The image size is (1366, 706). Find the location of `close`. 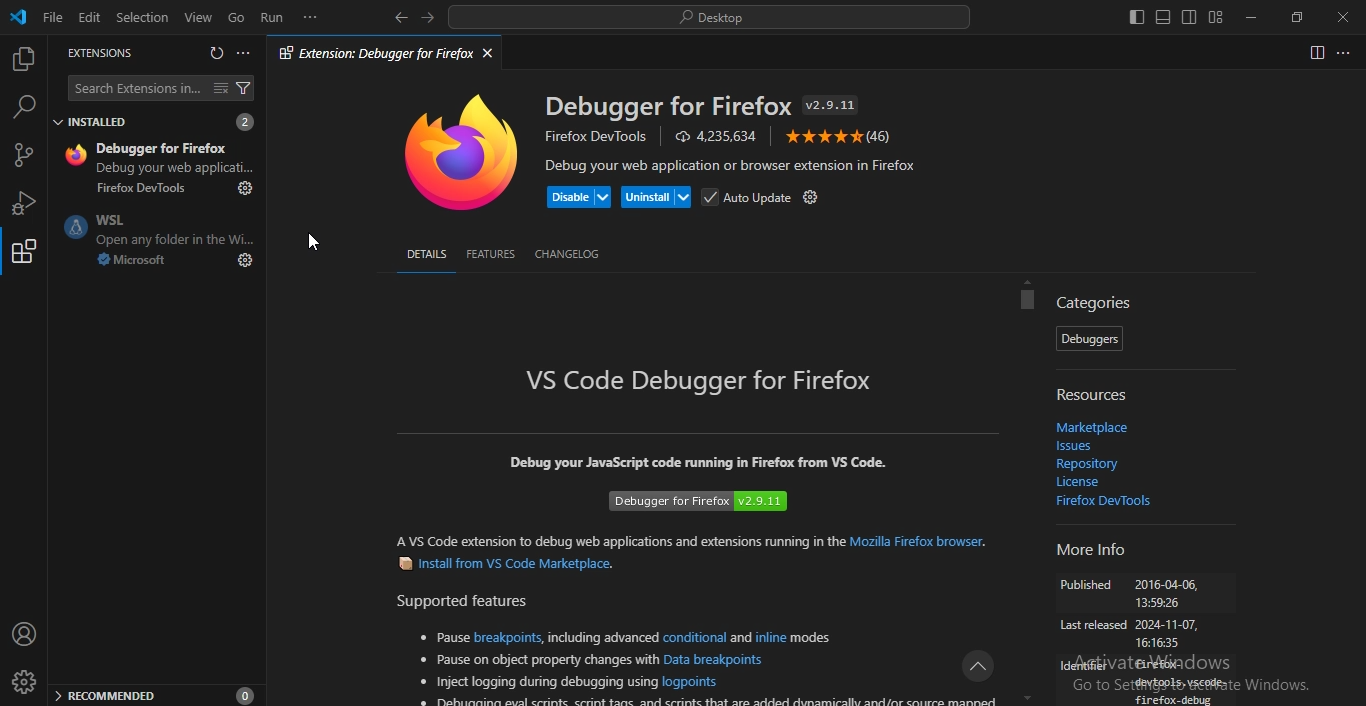

close is located at coordinates (1343, 19).